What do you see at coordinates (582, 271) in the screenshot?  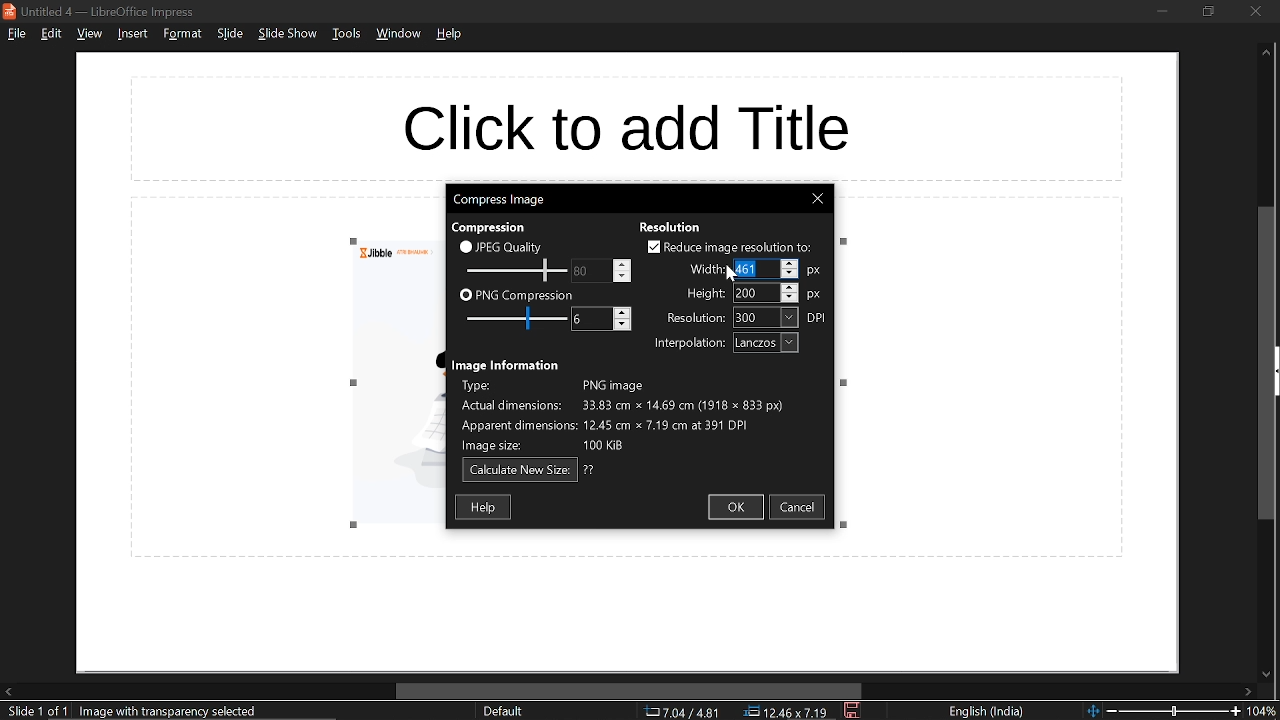 I see `change JPEG quality` at bounding box center [582, 271].